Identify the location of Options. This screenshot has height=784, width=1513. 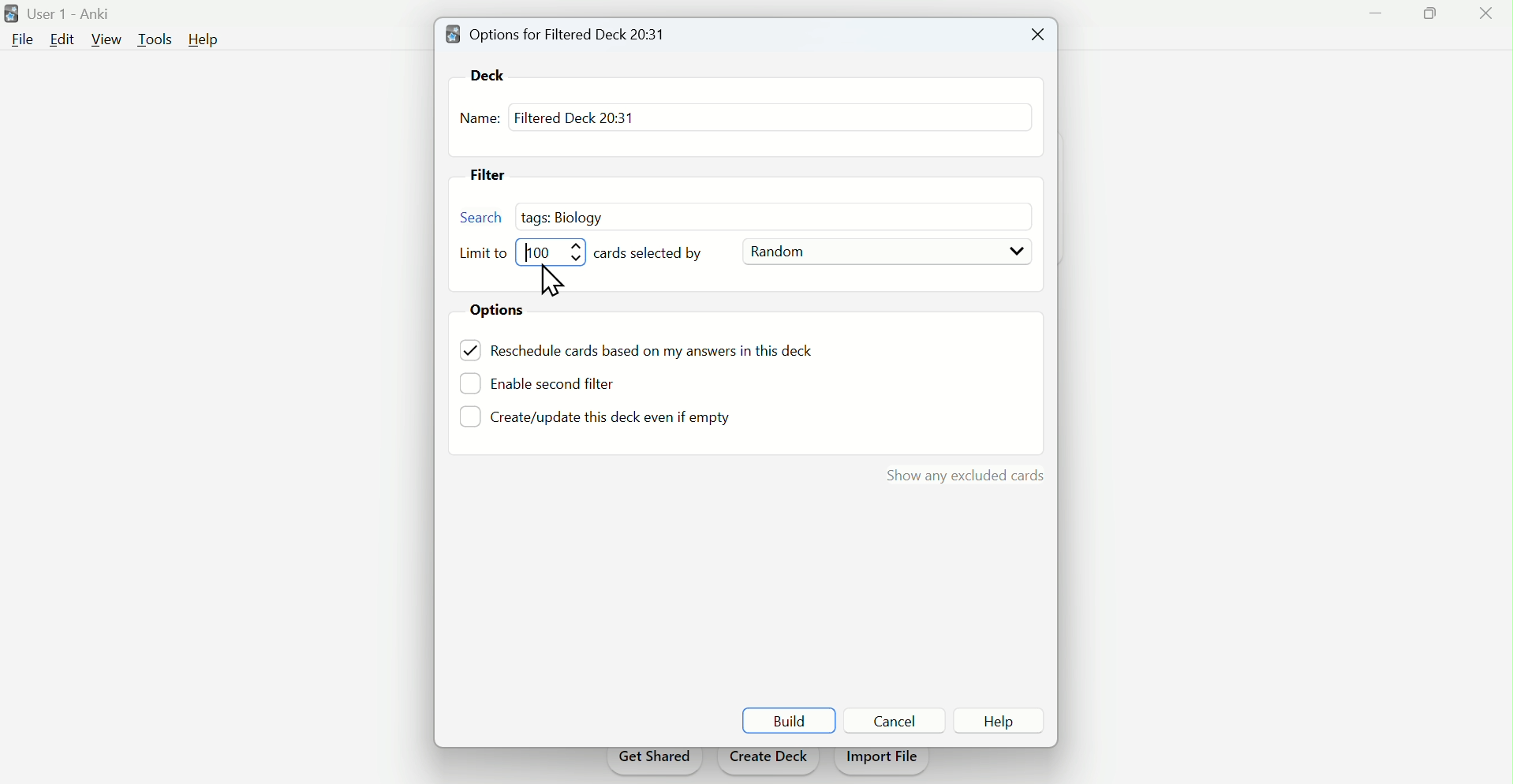
(504, 312).